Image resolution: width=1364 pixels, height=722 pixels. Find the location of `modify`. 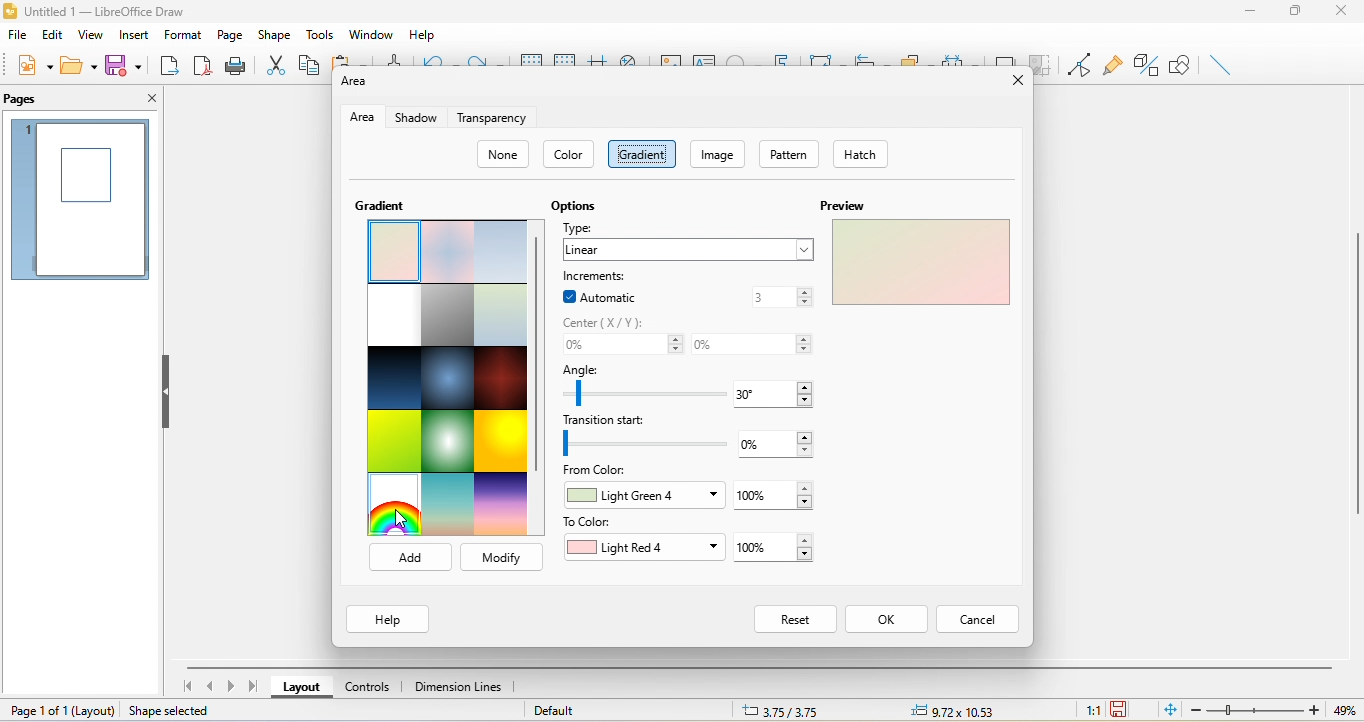

modify is located at coordinates (501, 558).